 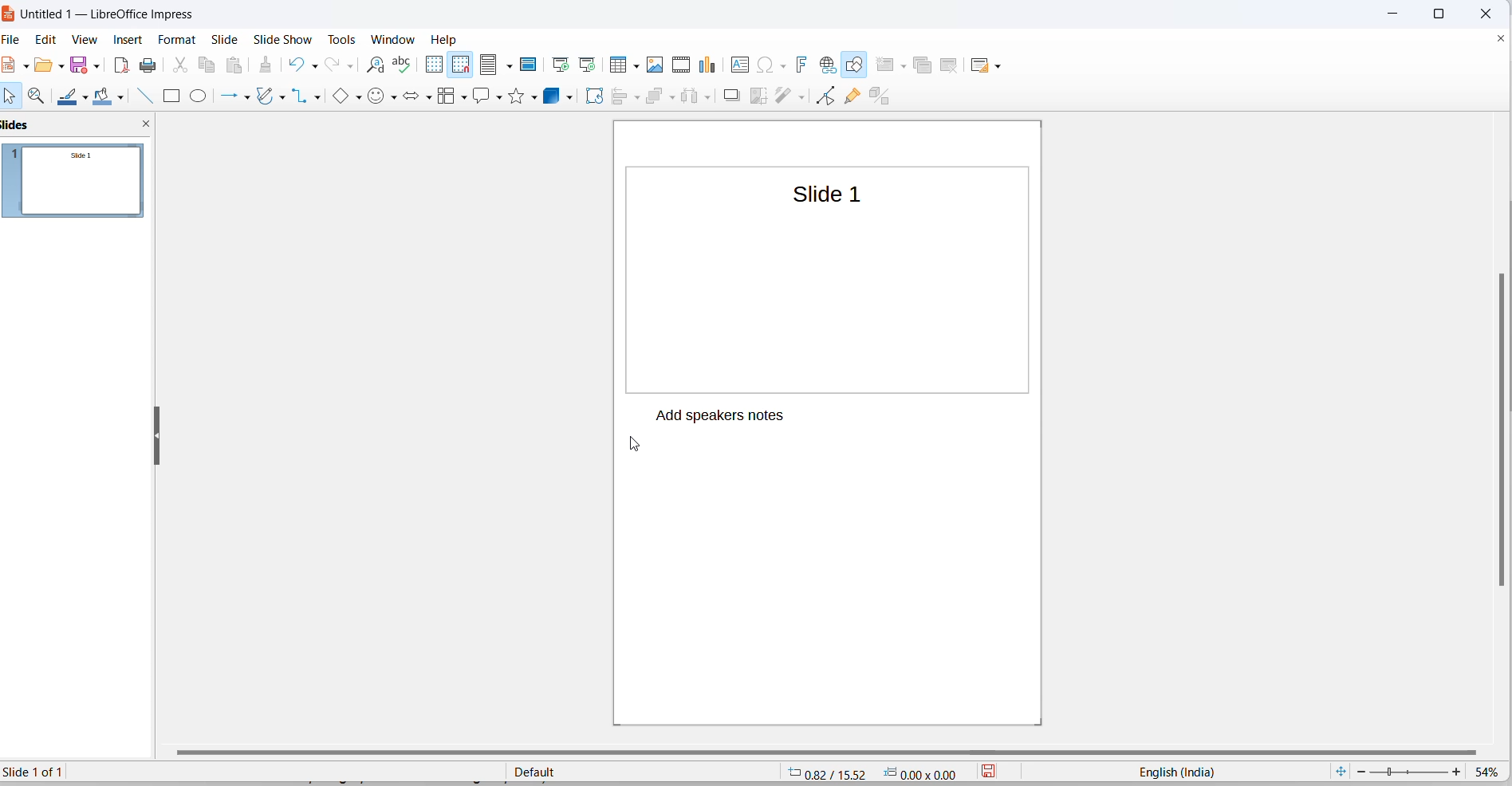 I want to click on draw shapes tools, so click(x=856, y=65).